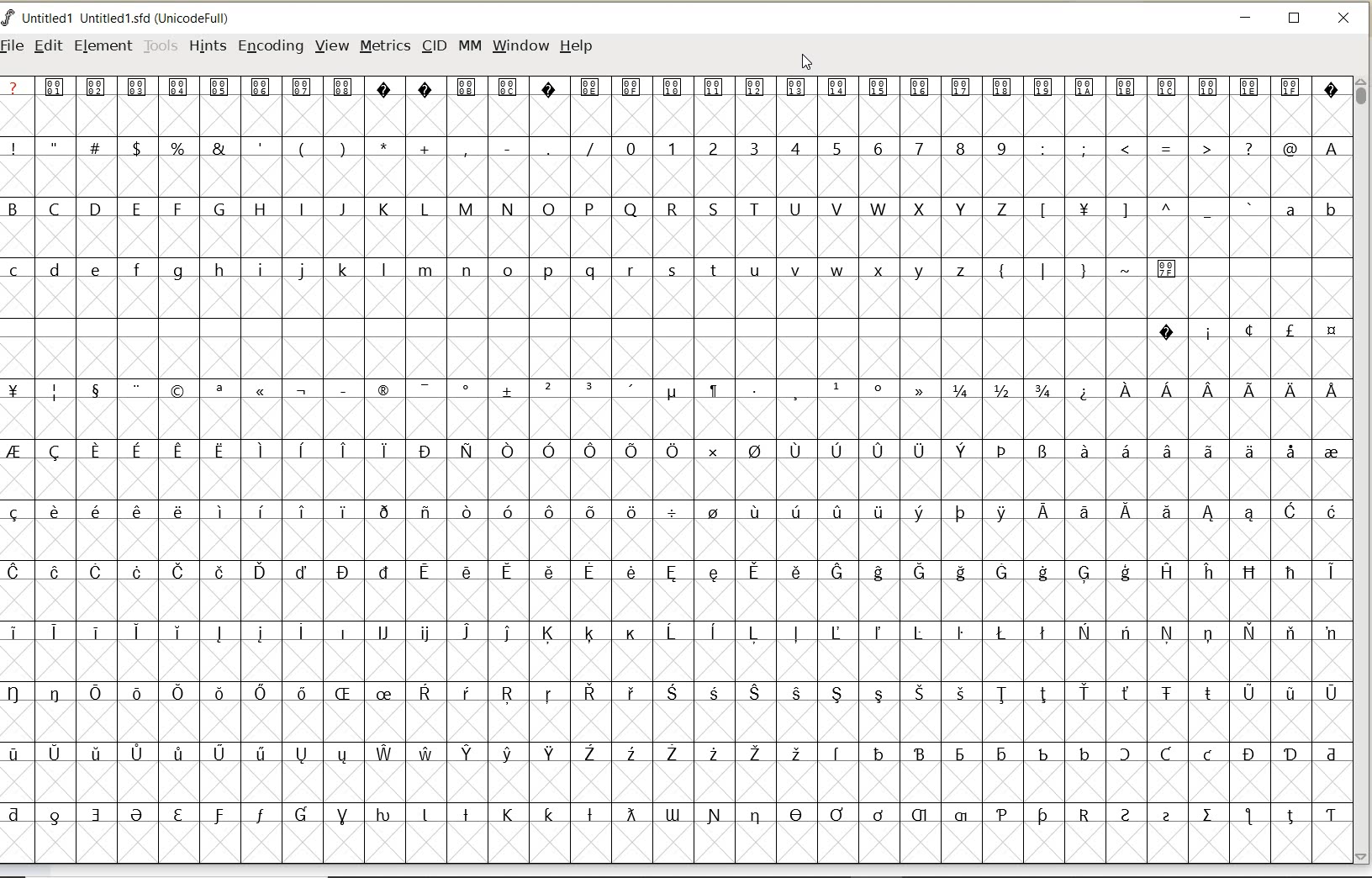 The height and width of the screenshot is (878, 1372). I want to click on FONT NAME, so click(131, 19).